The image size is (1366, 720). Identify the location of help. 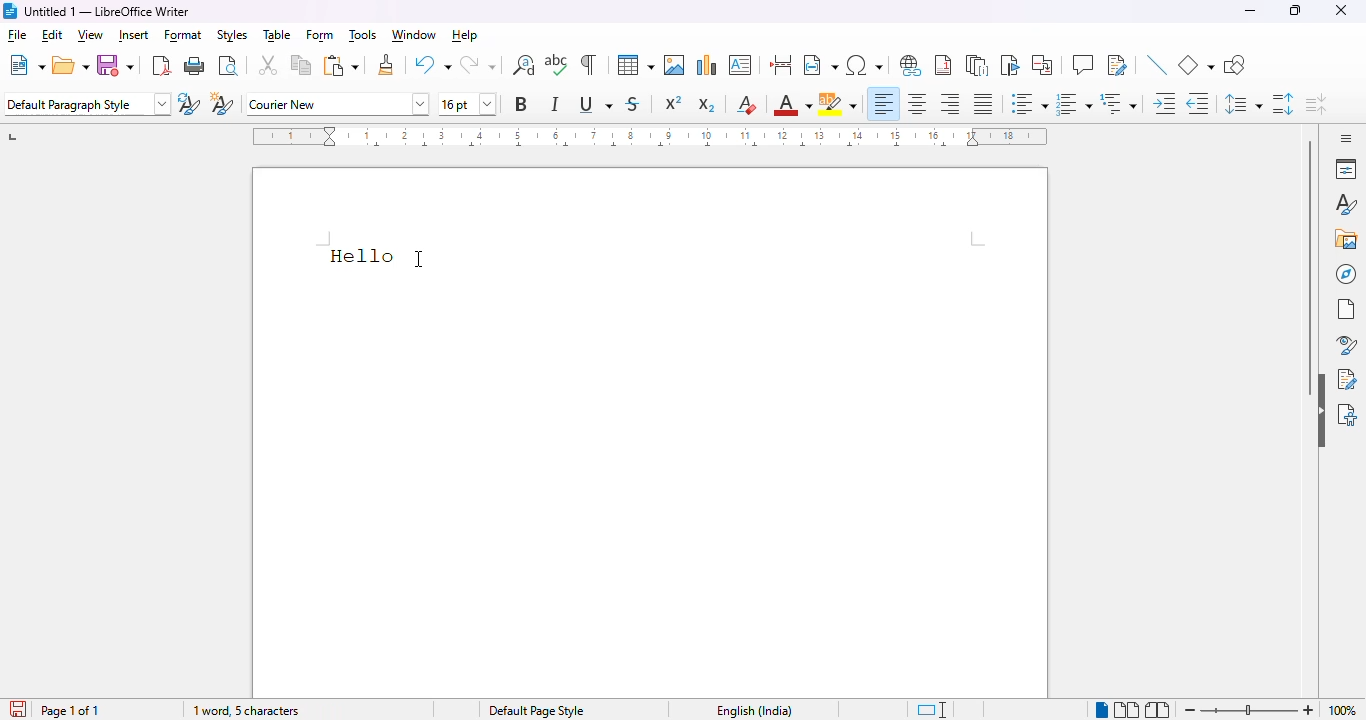
(466, 36).